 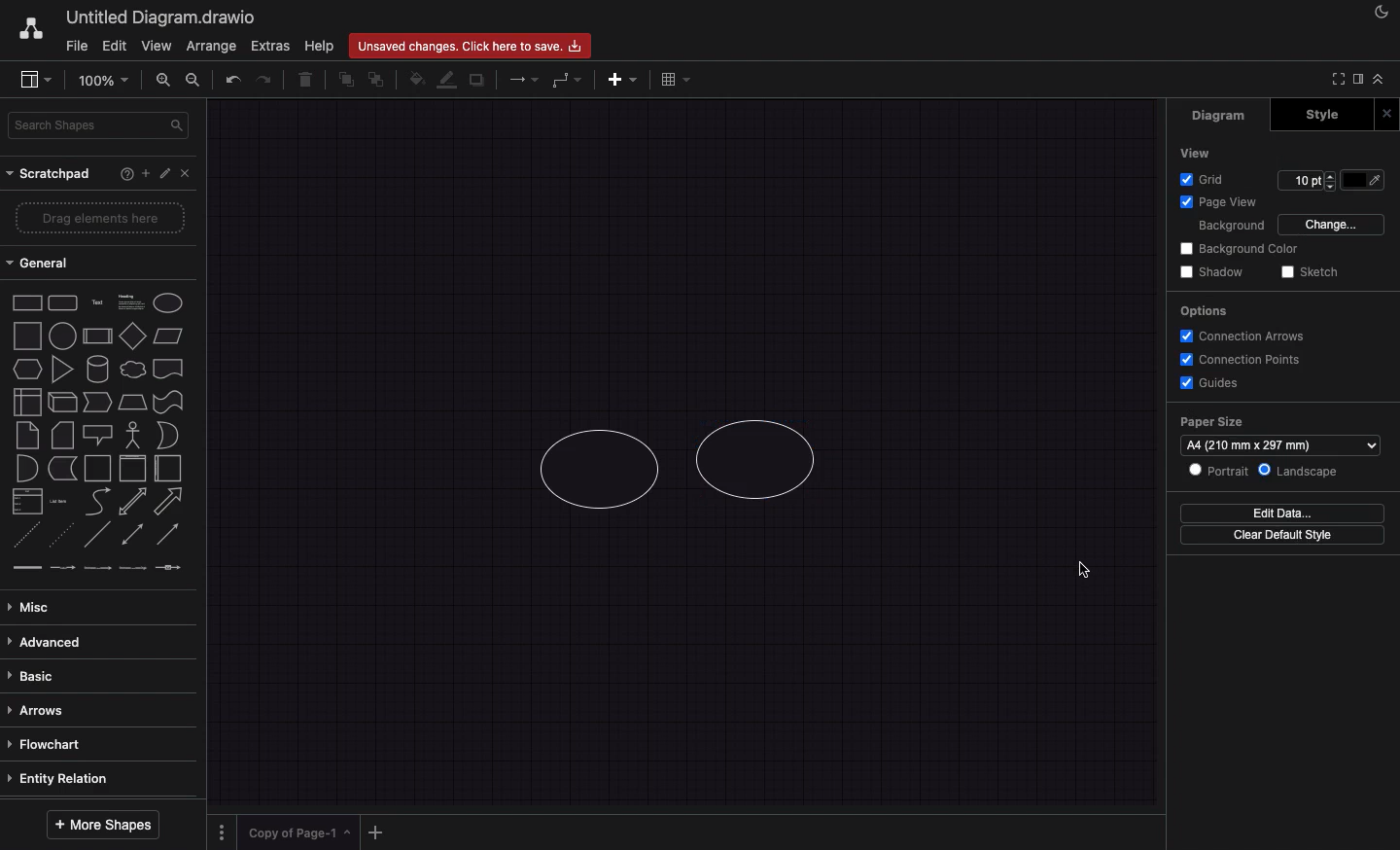 What do you see at coordinates (565, 80) in the screenshot?
I see `waypoints` at bounding box center [565, 80].